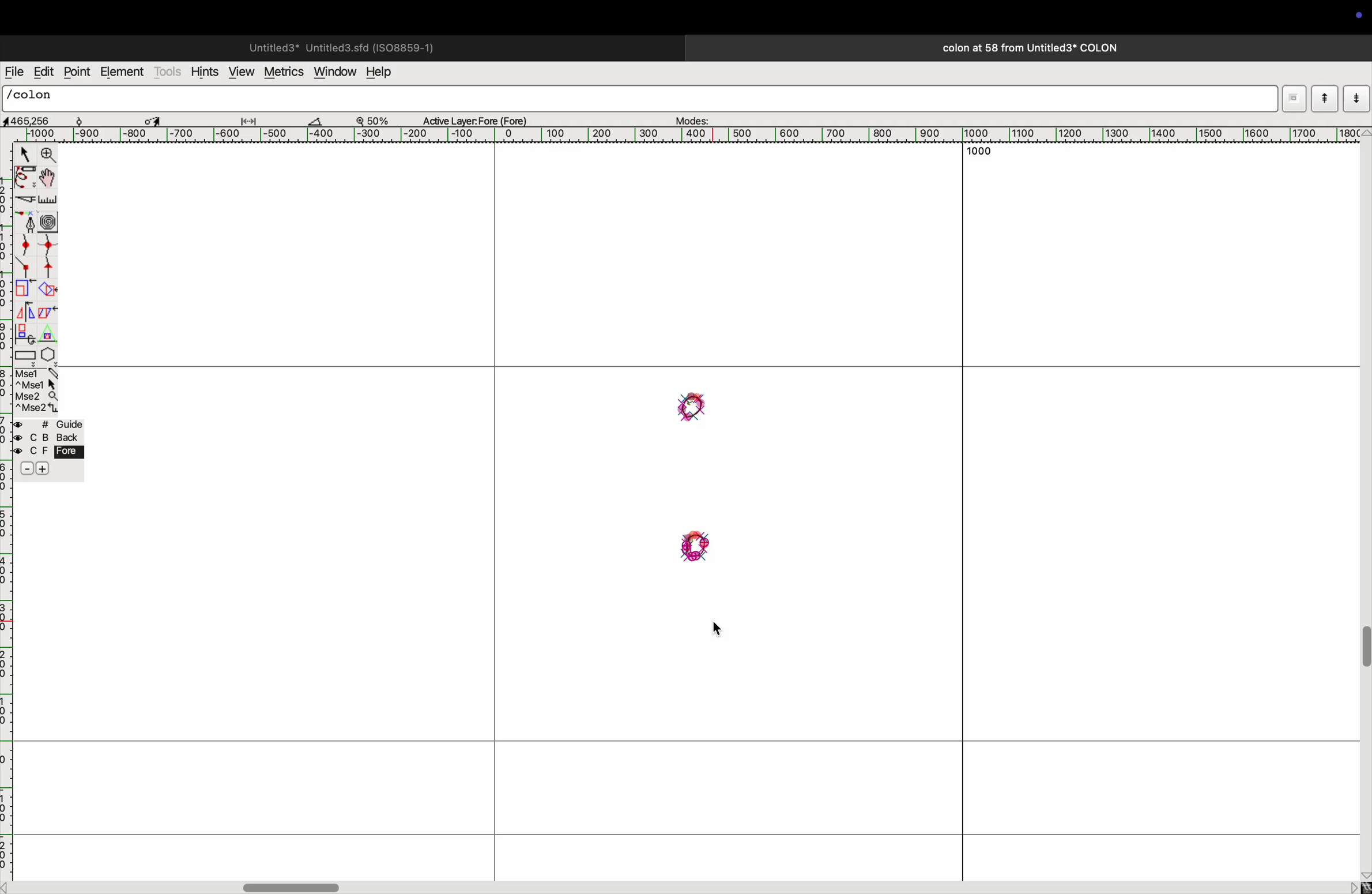 This screenshot has height=894, width=1372. I want to click on zoom, so click(378, 119).